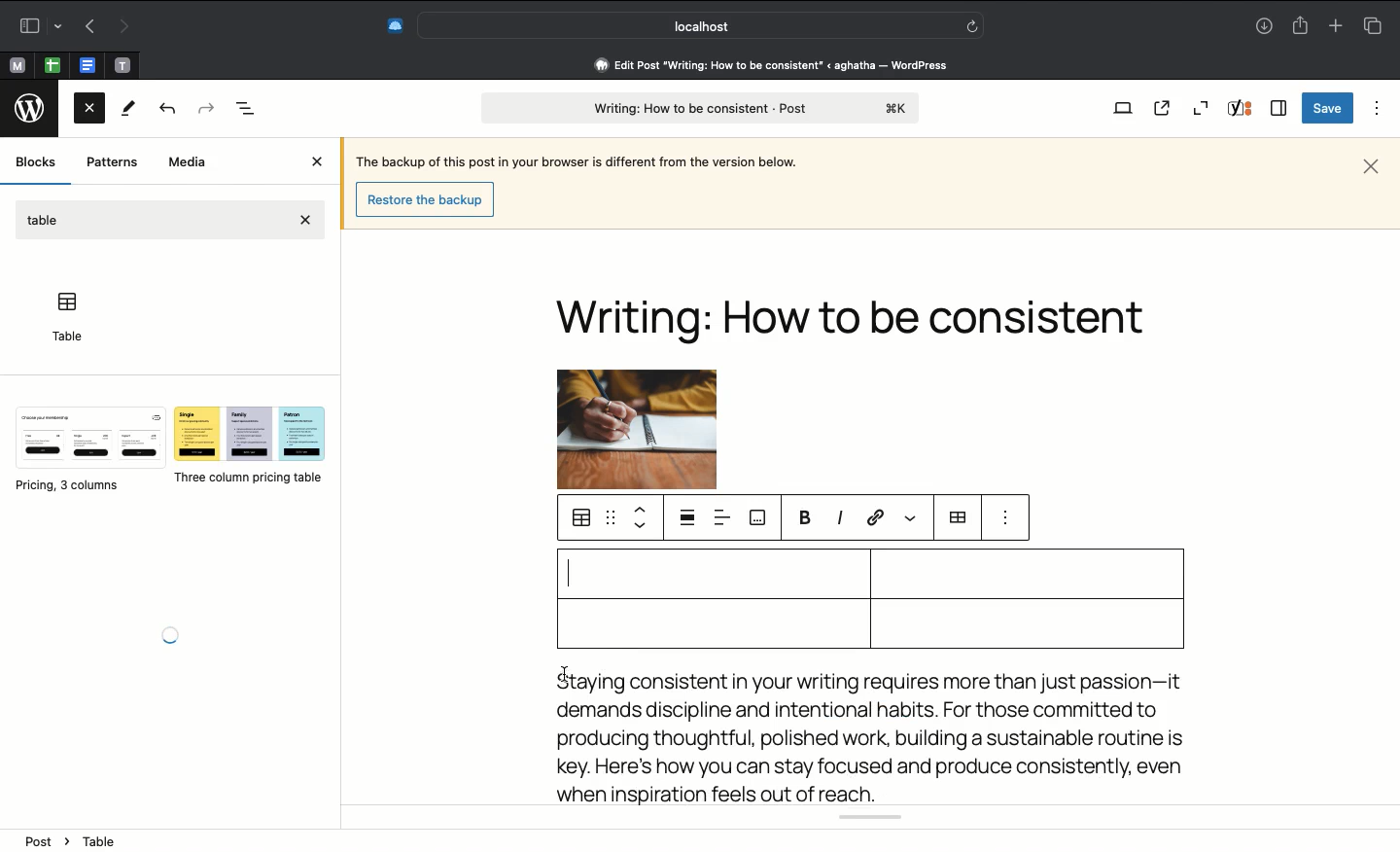  Describe the element at coordinates (130, 108) in the screenshot. I see `Tools` at that location.